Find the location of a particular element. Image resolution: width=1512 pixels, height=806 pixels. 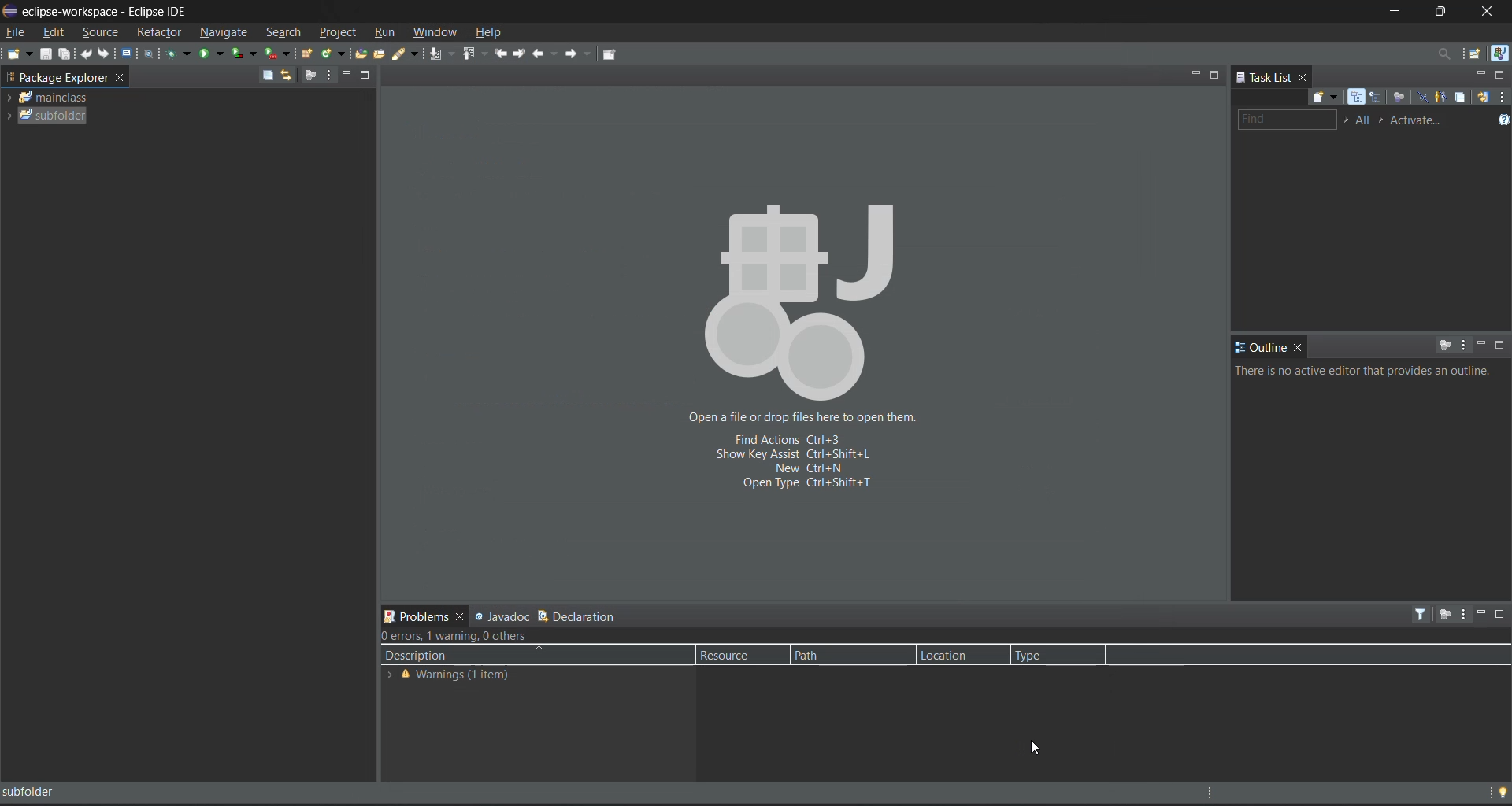

new task is located at coordinates (1322, 97).